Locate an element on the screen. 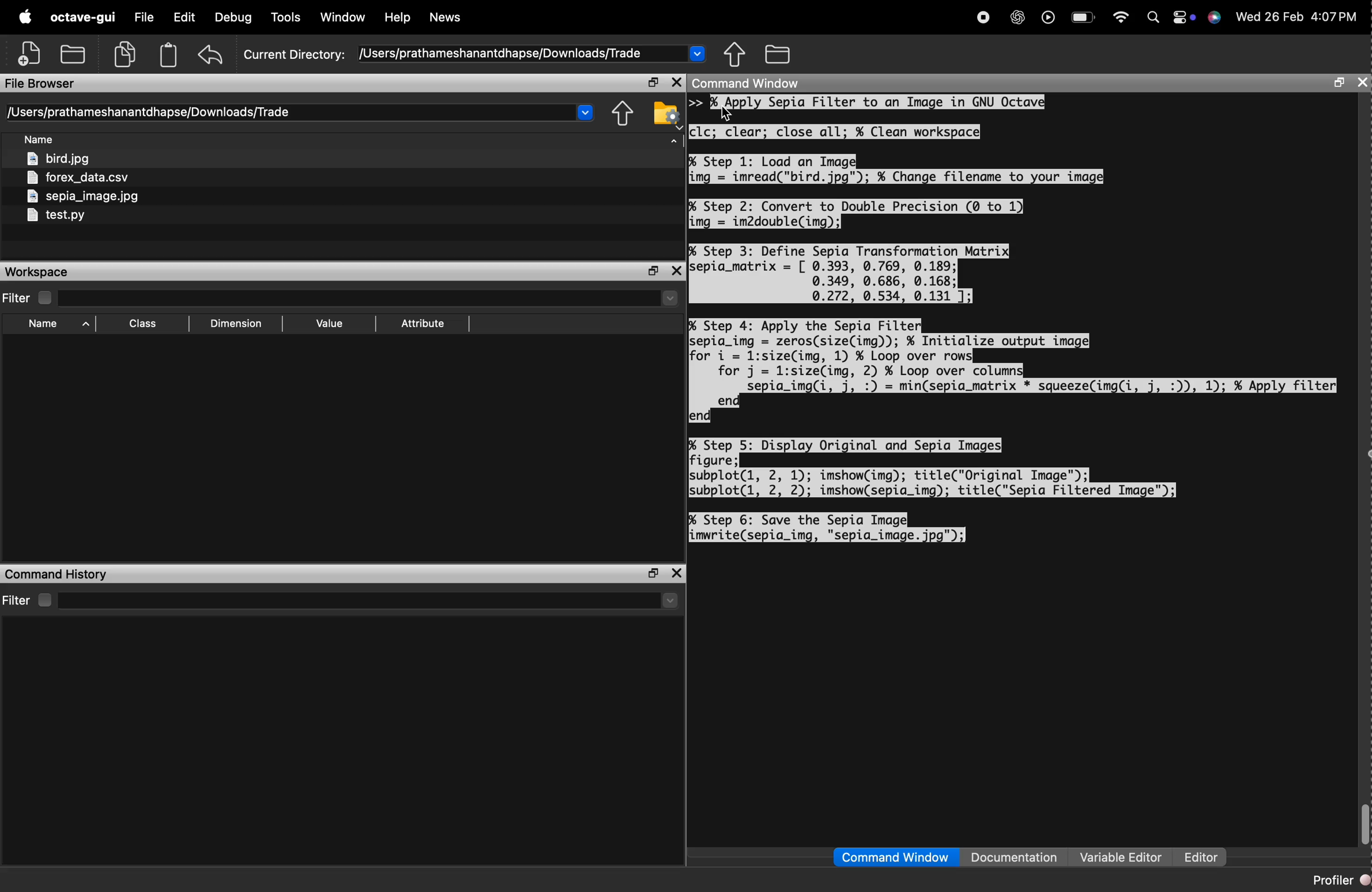  folder settings is located at coordinates (668, 115).